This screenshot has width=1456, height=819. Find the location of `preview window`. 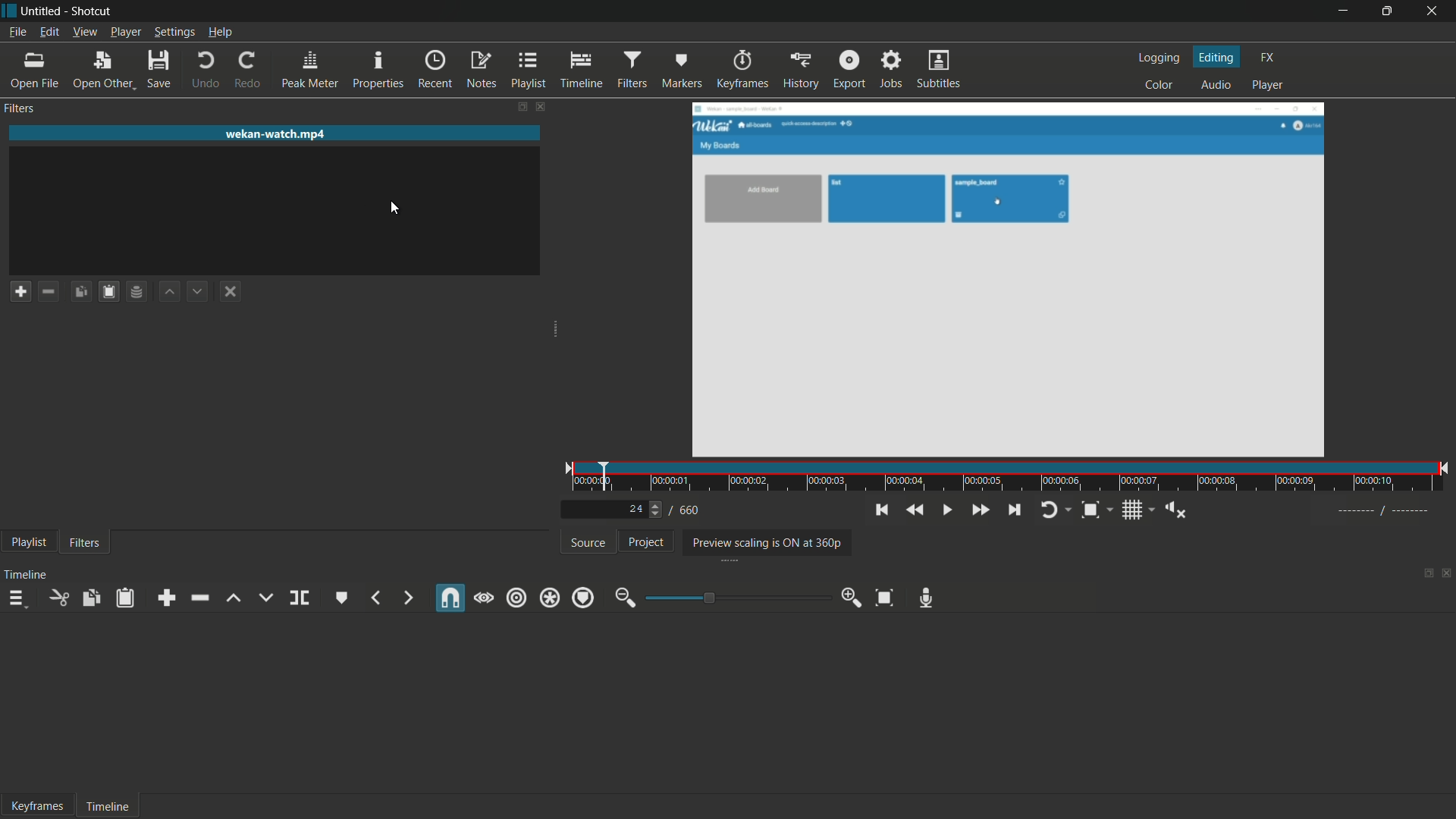

preview window is located at coordinates (1007, 281).